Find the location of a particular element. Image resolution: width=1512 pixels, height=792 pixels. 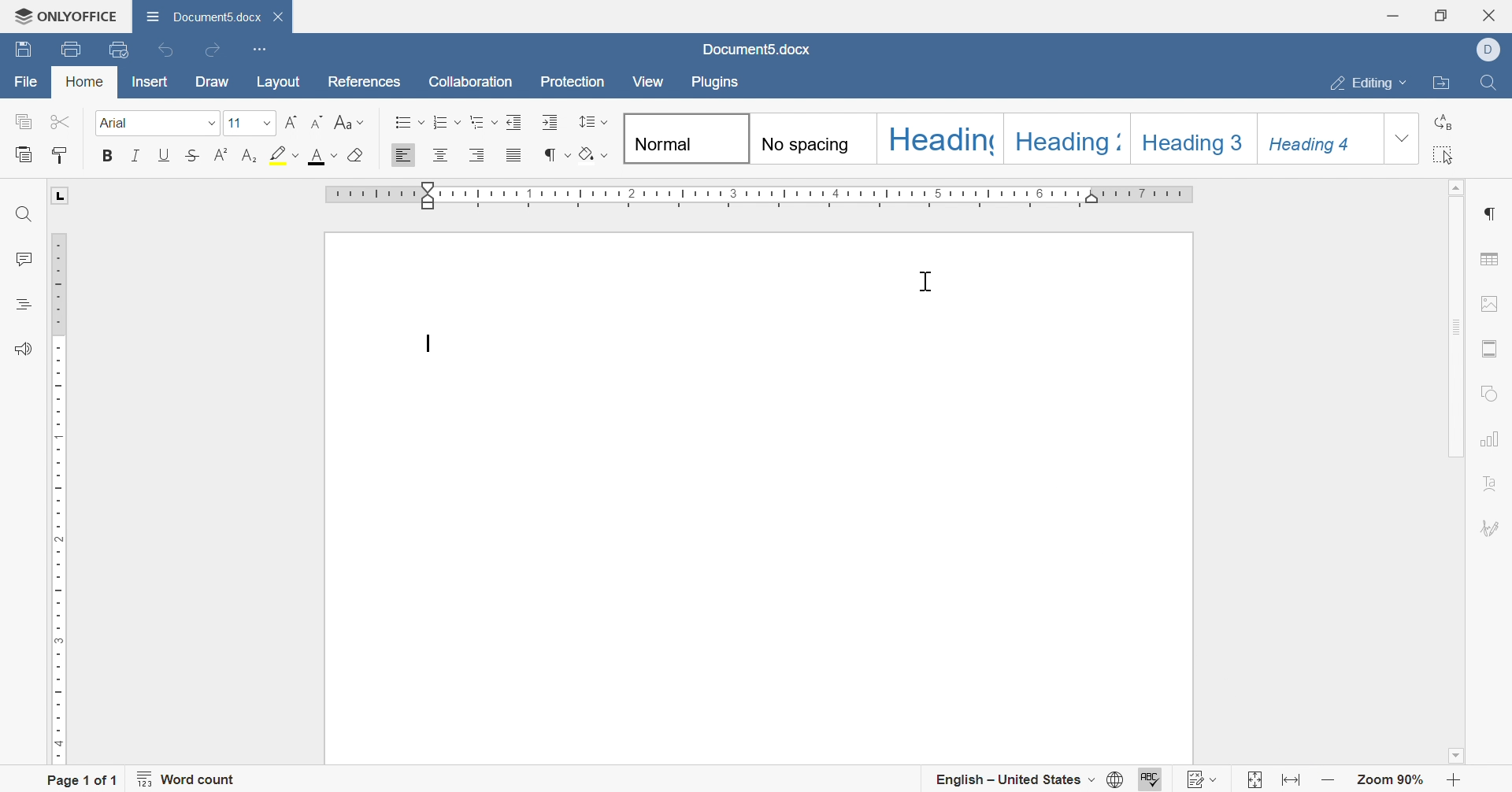

zoom out is located at coordinates (1332, 782).